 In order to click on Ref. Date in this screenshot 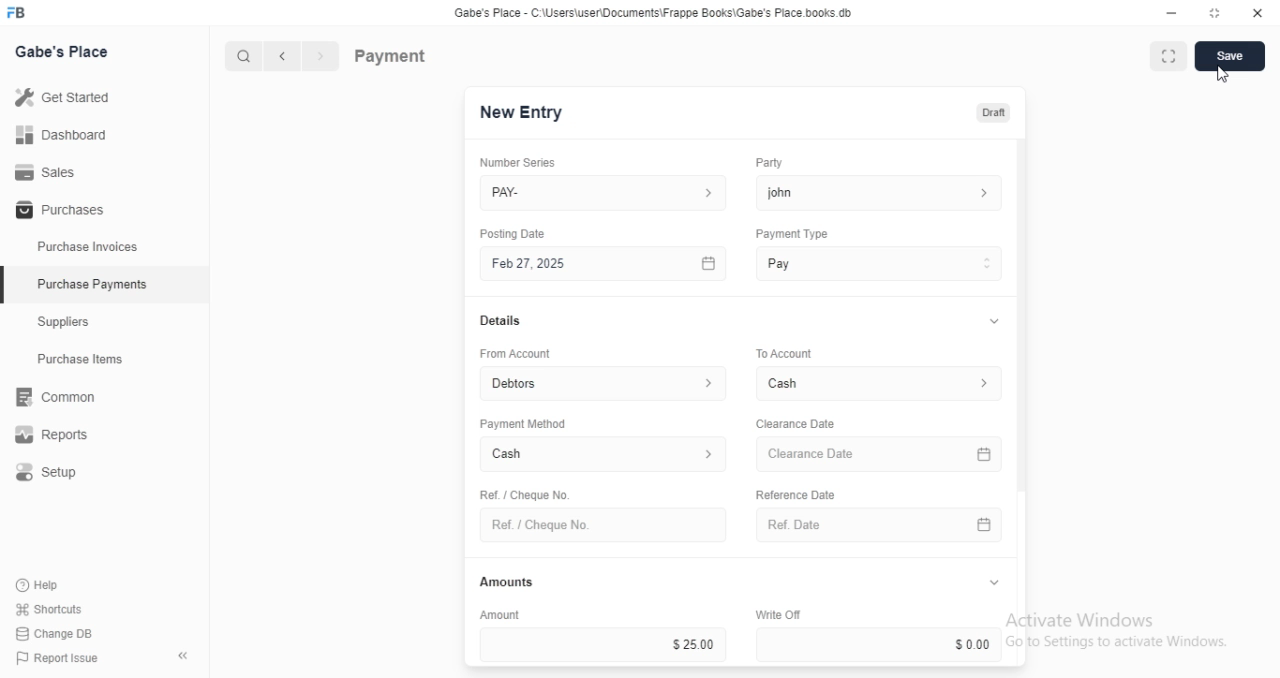, I will do `click(879, 525)`.